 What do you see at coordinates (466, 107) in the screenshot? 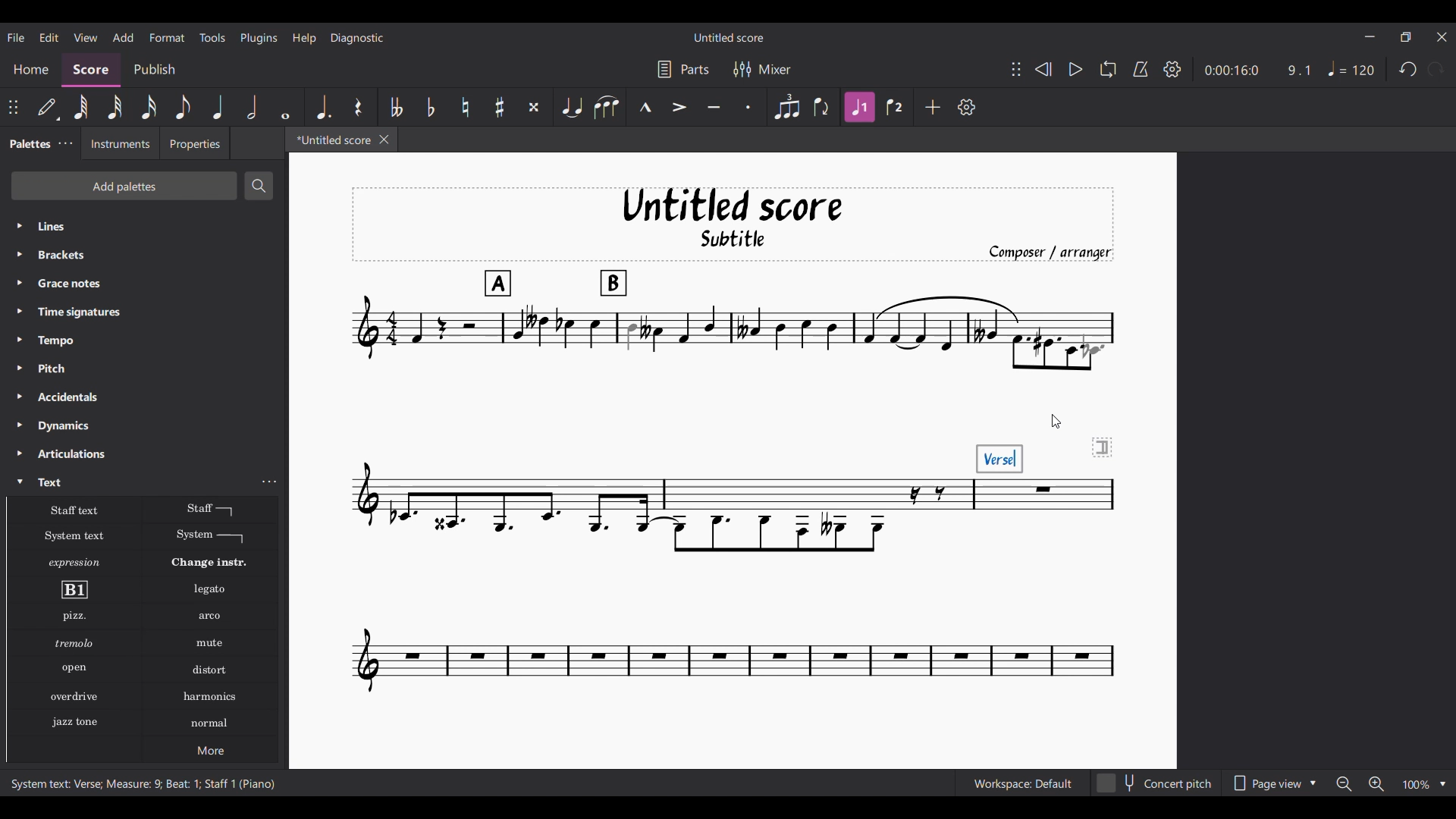
I see `Toggle natural` at bounding box center [466, 107].